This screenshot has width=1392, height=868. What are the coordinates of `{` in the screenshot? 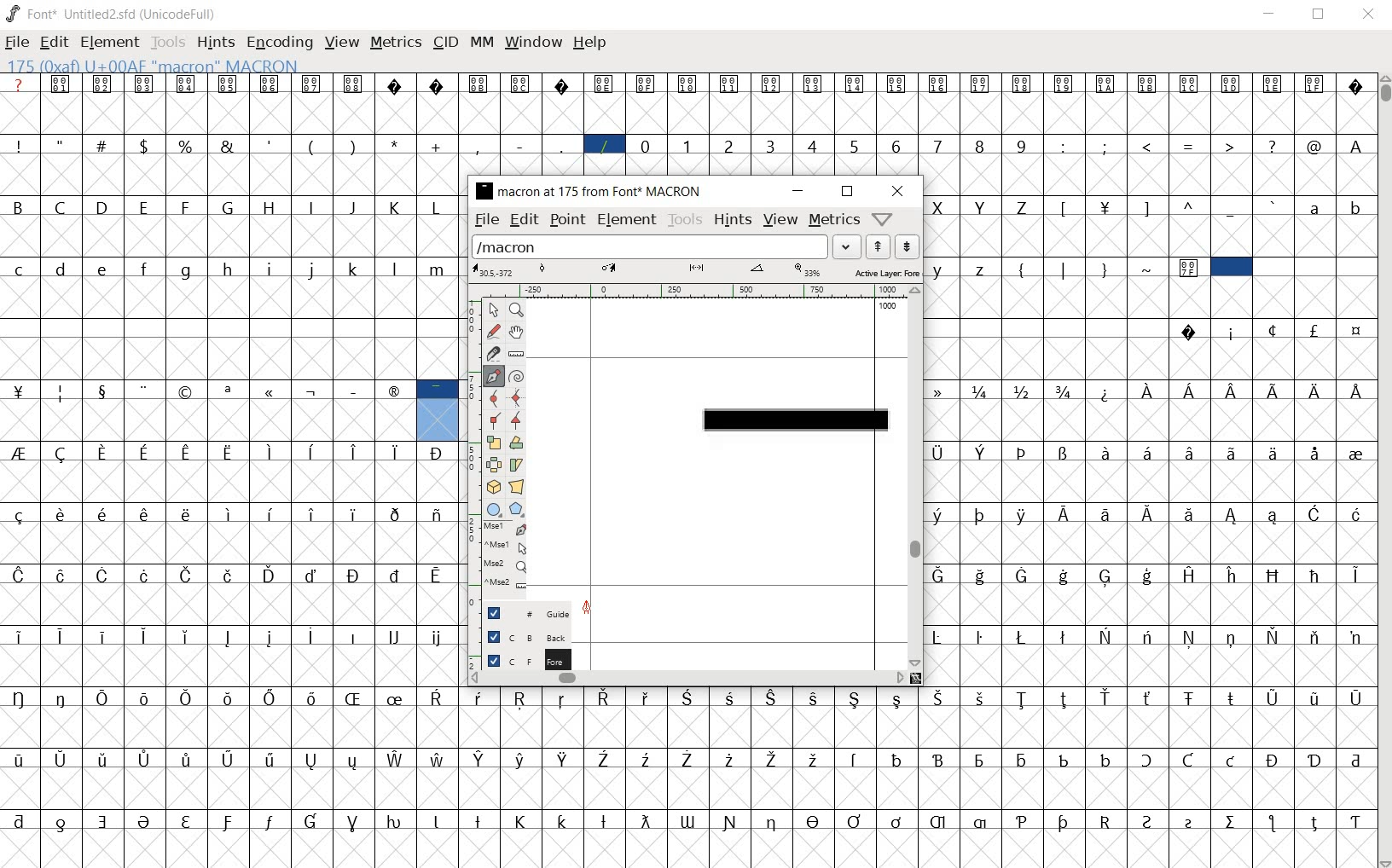 It's located at (1024, 269).